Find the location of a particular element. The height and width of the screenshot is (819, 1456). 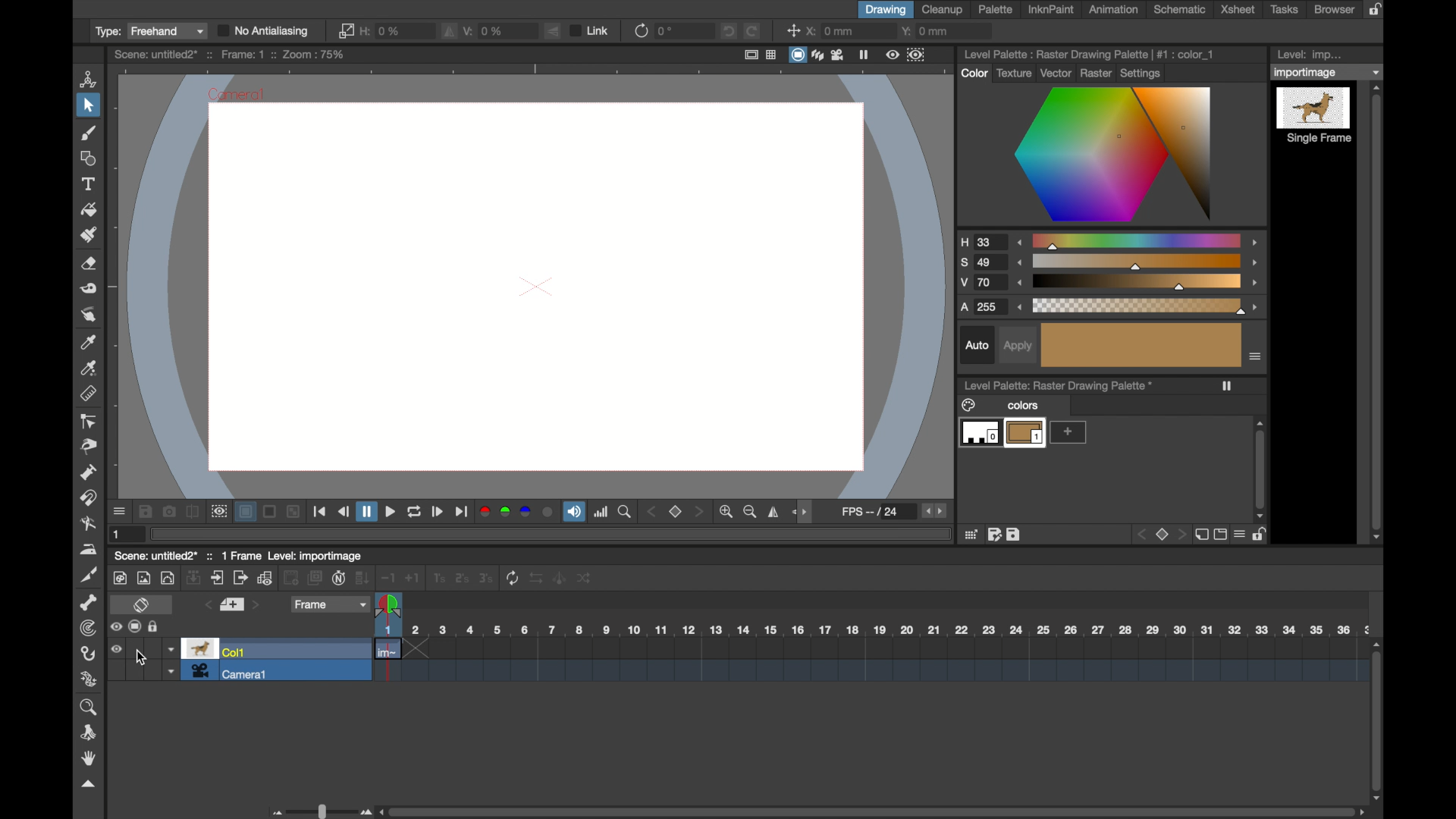

scroll box is located at coordinates (872, 811).